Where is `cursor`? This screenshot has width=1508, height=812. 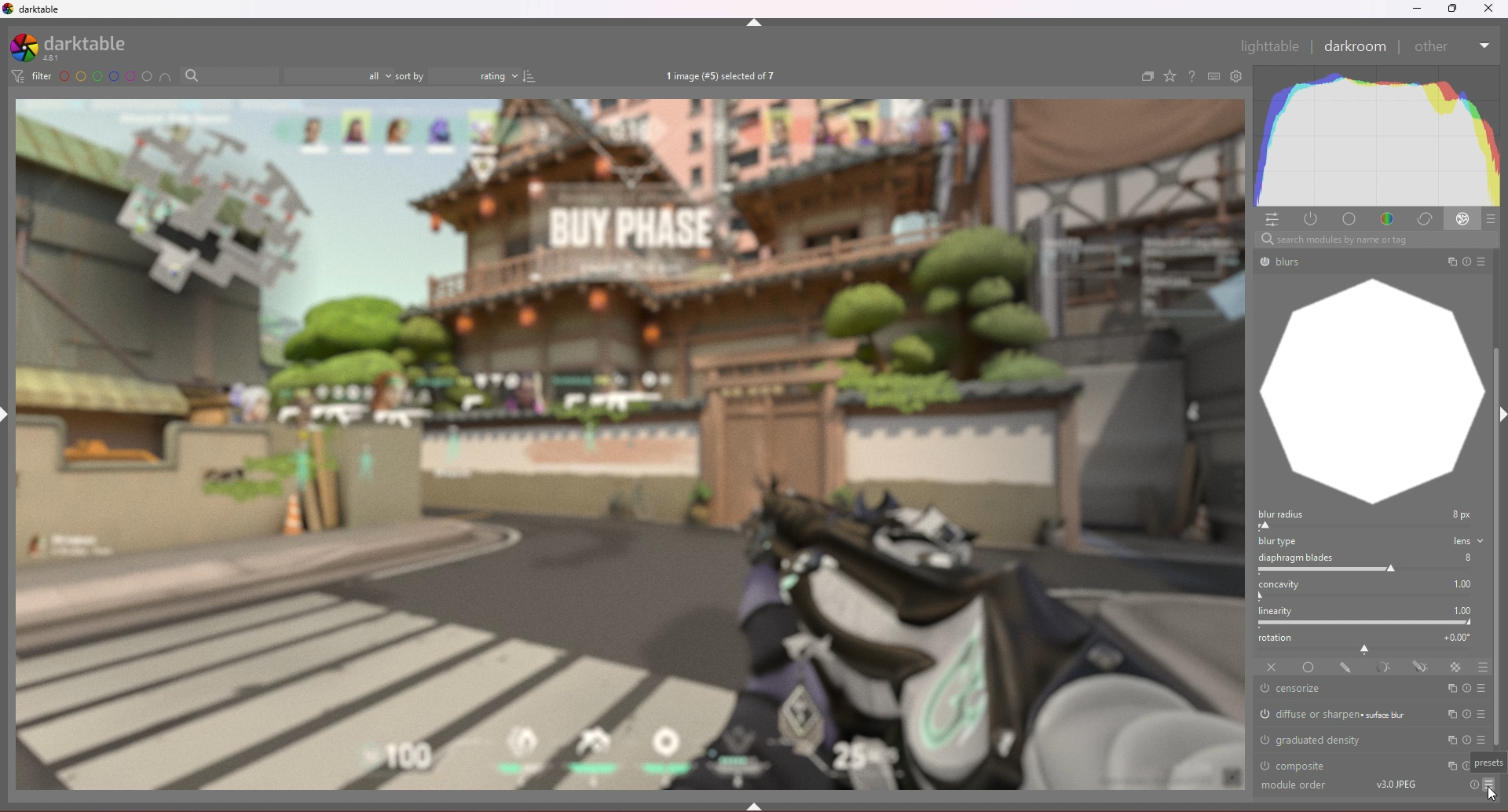 cursor is located at coordinates (1491, 792).